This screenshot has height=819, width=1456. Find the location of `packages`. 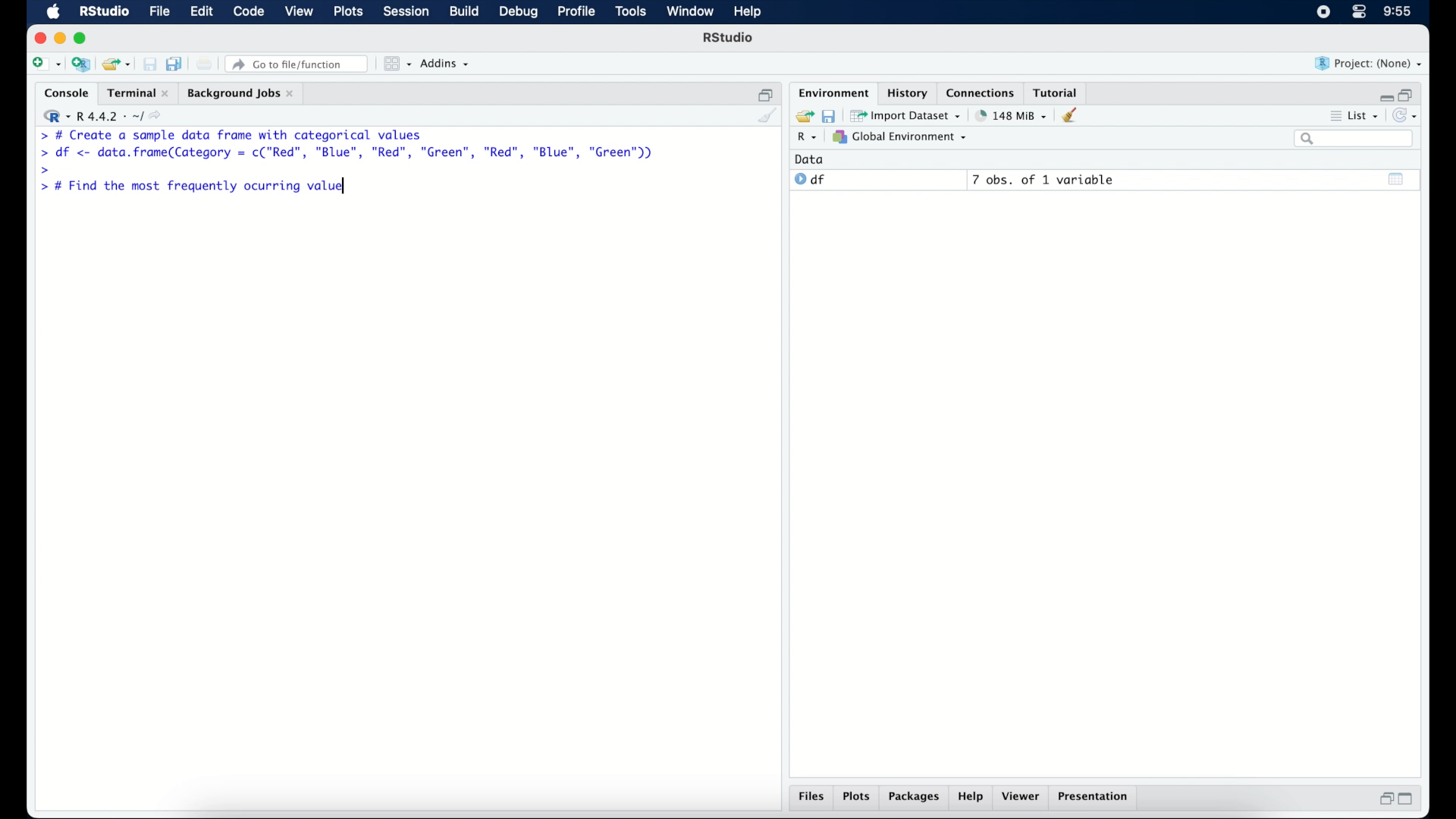

packages is located at coordinates (915, 799).